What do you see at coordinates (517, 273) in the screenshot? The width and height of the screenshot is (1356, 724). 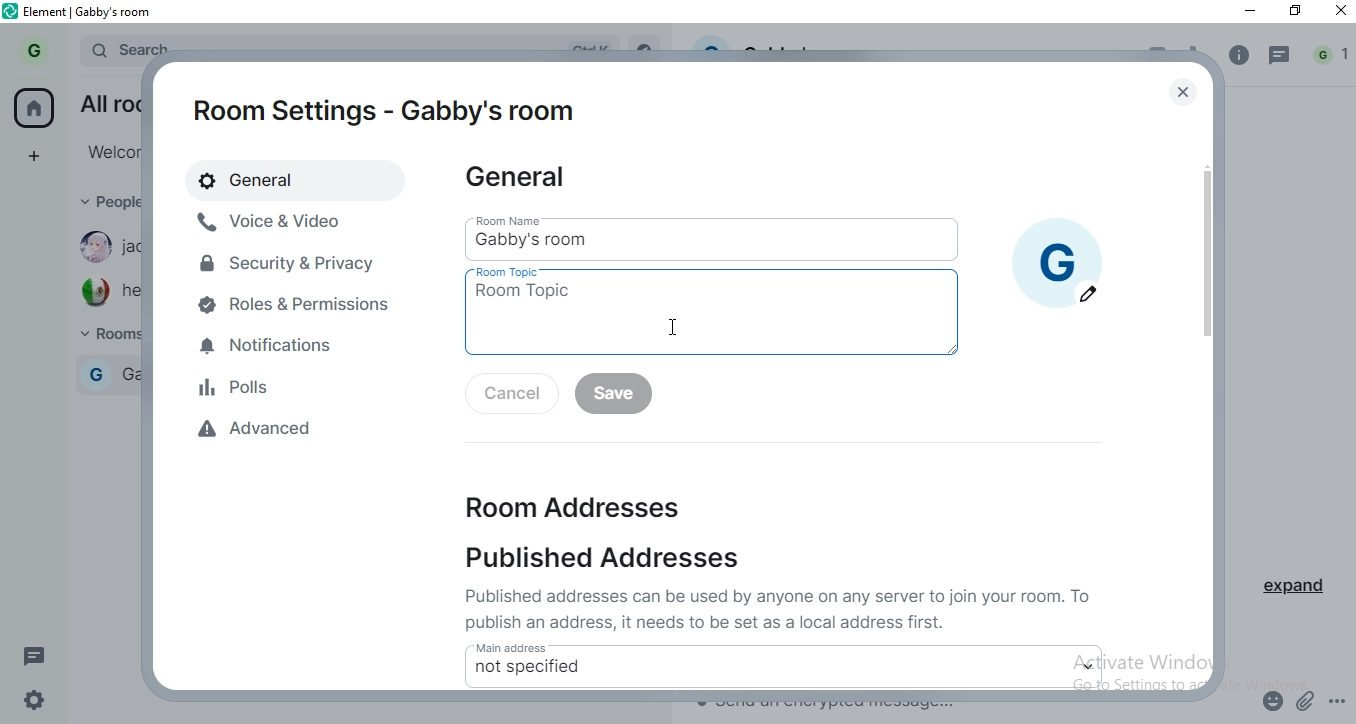 I see `room topic` at bounding box center [517, 273].